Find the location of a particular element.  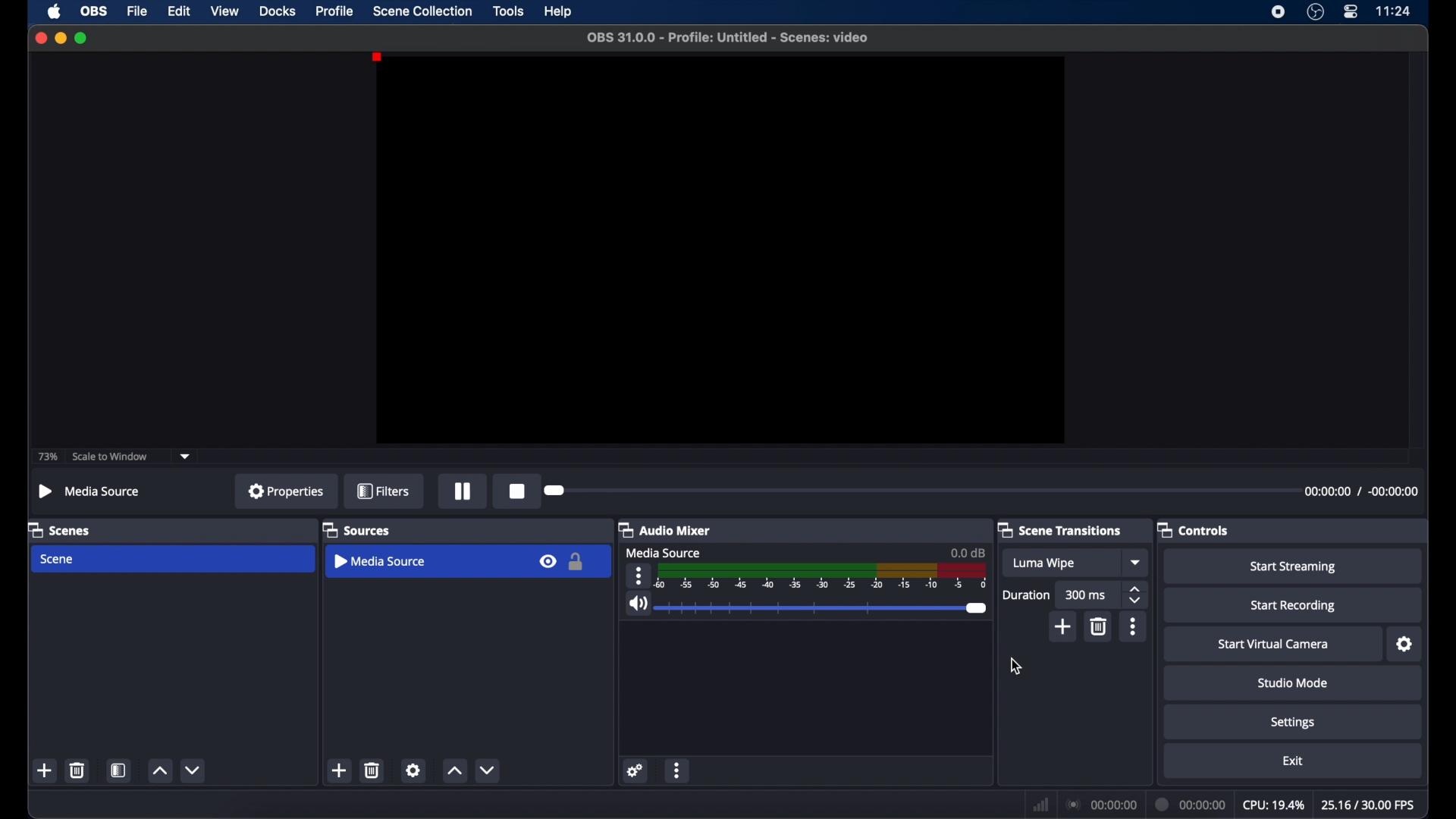

cursor is located at coordinates (1015, 667).